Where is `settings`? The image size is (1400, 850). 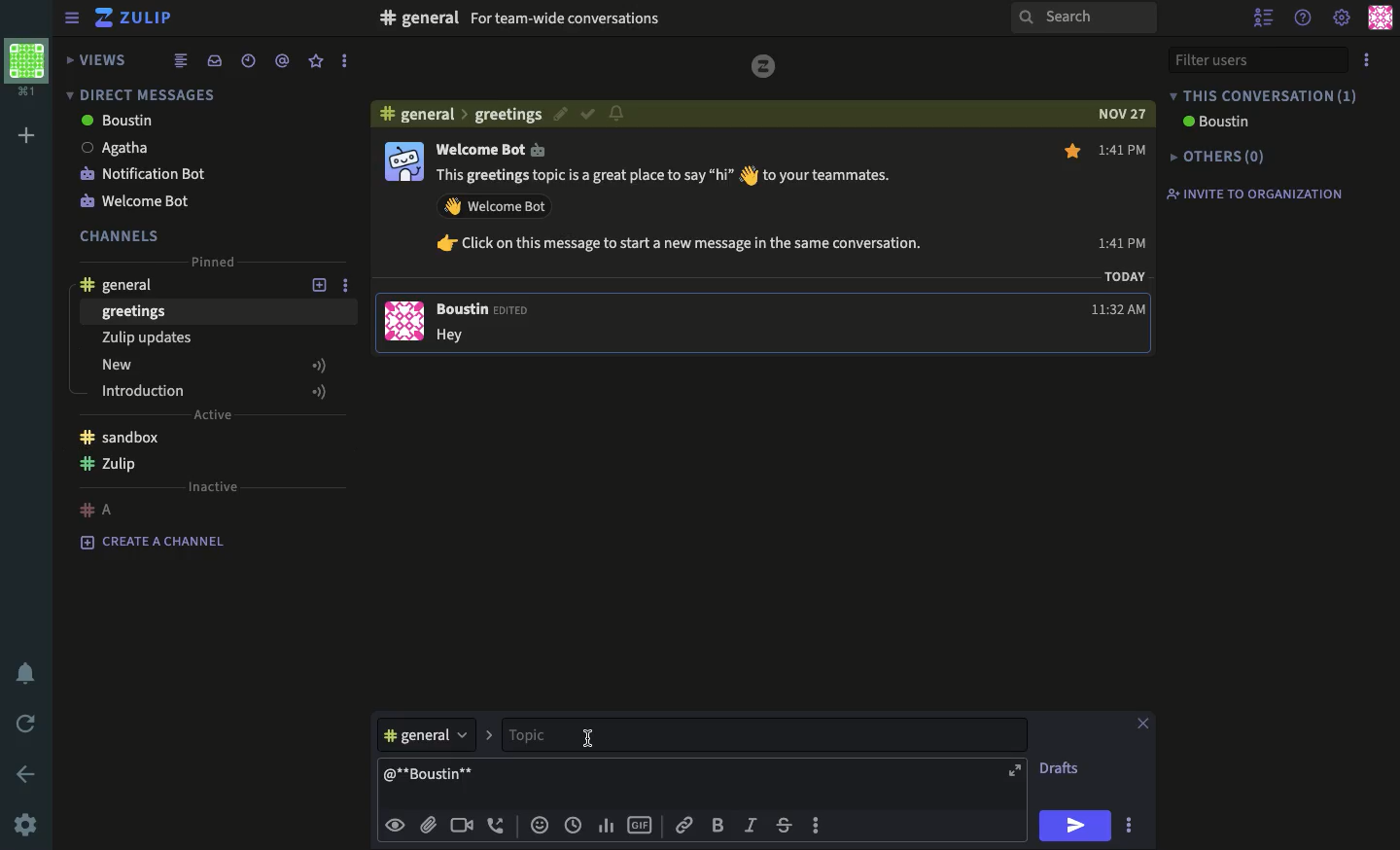
settings is located at coordinates (24, 827).